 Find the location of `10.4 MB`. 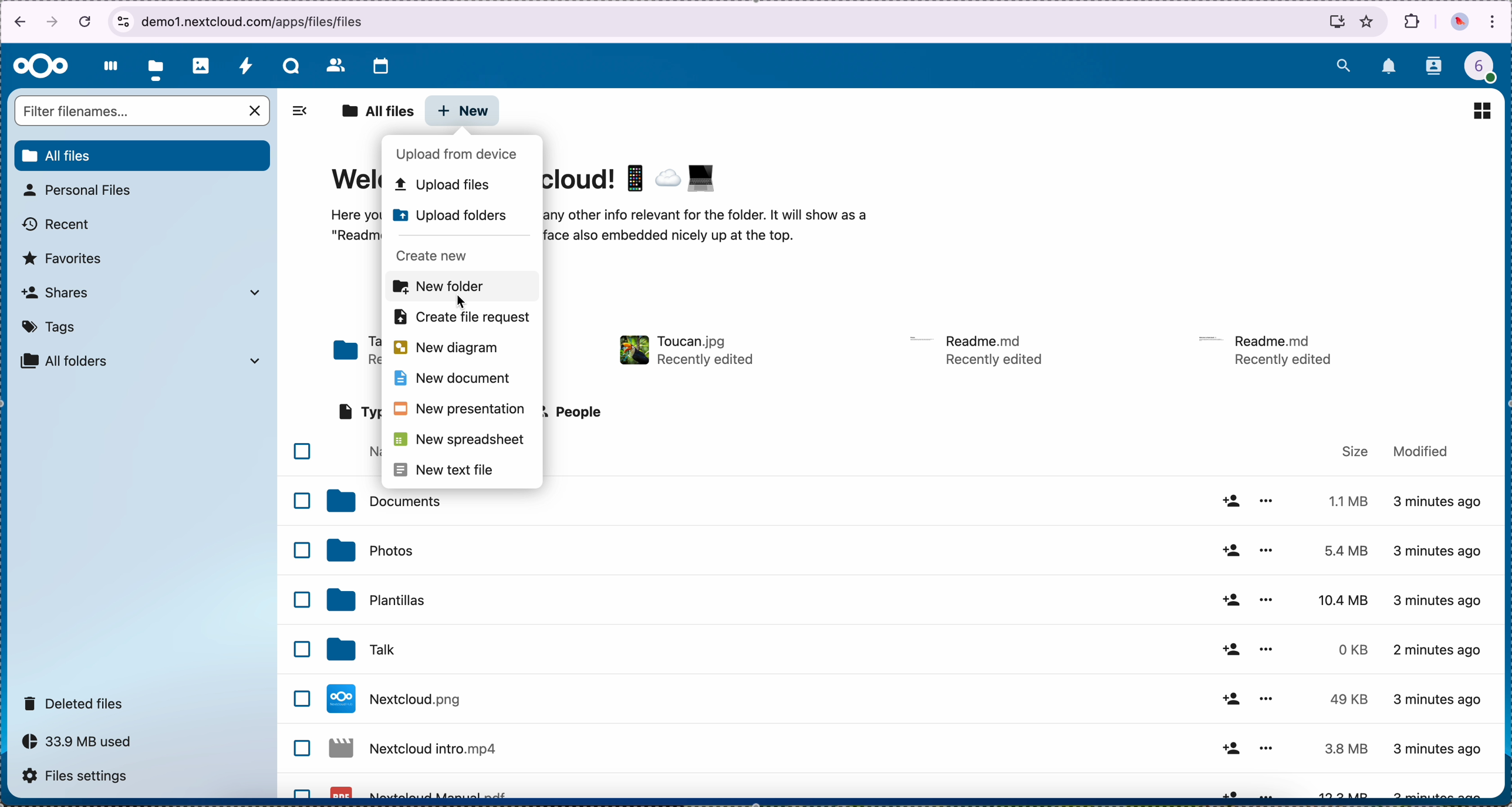

10.4 MB is located at coordinates (1345, 601).